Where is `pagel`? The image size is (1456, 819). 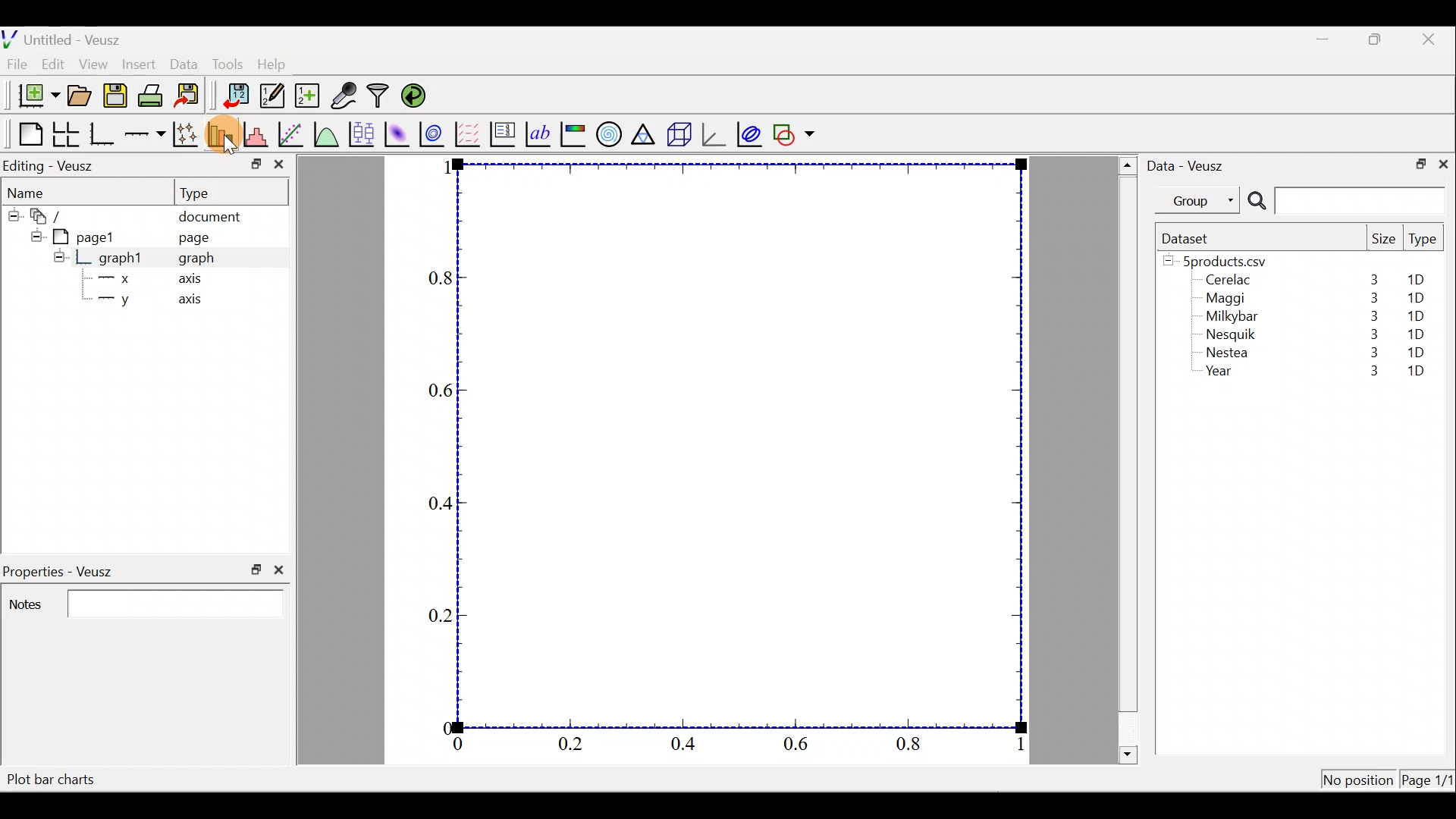 pagel is located at coordinates (90, 235).